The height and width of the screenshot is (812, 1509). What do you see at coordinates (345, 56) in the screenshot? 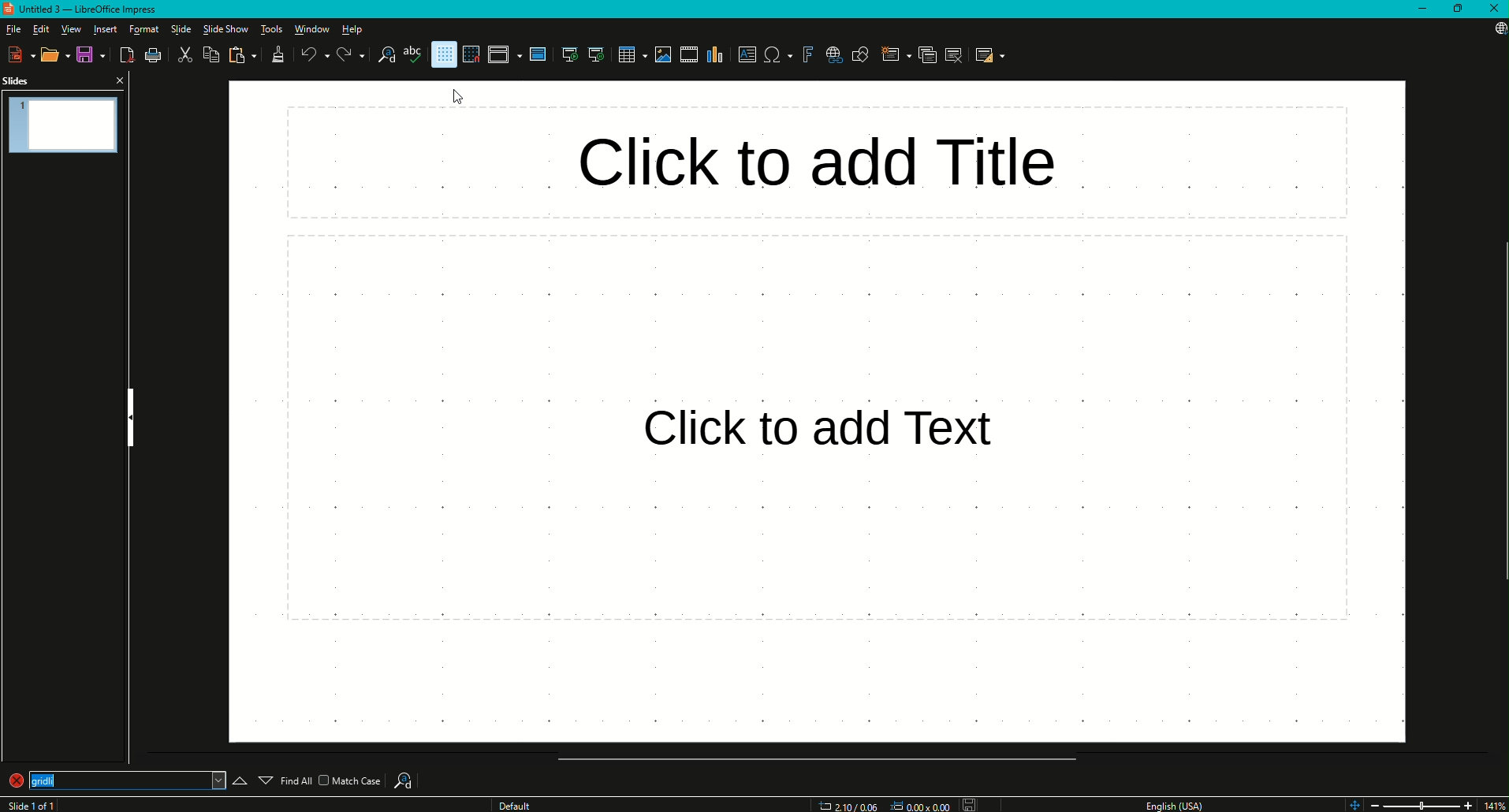
I see `Redo` at bounding box center [345, 56].